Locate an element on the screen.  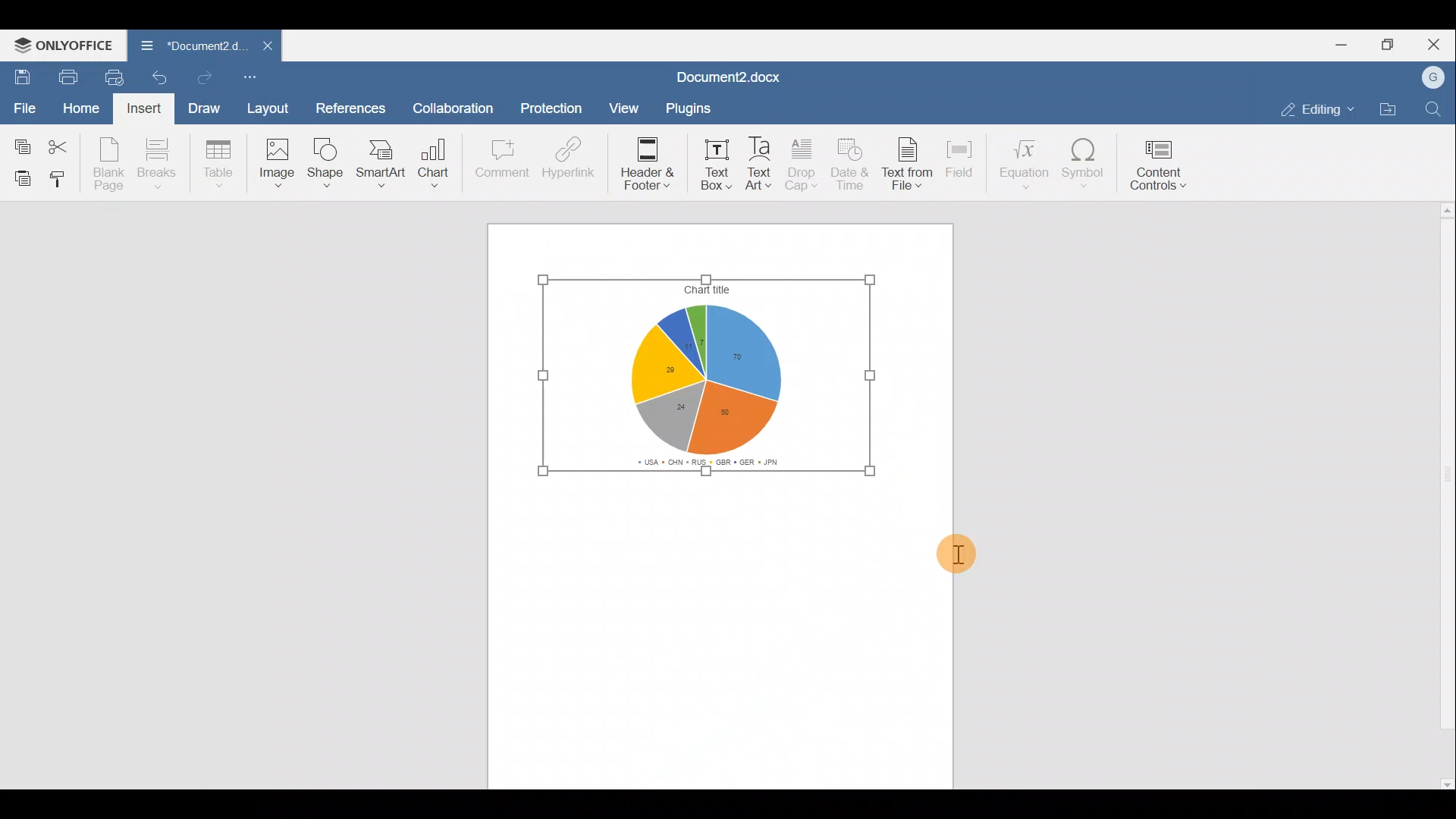
References is located at coordinates (349, 108).